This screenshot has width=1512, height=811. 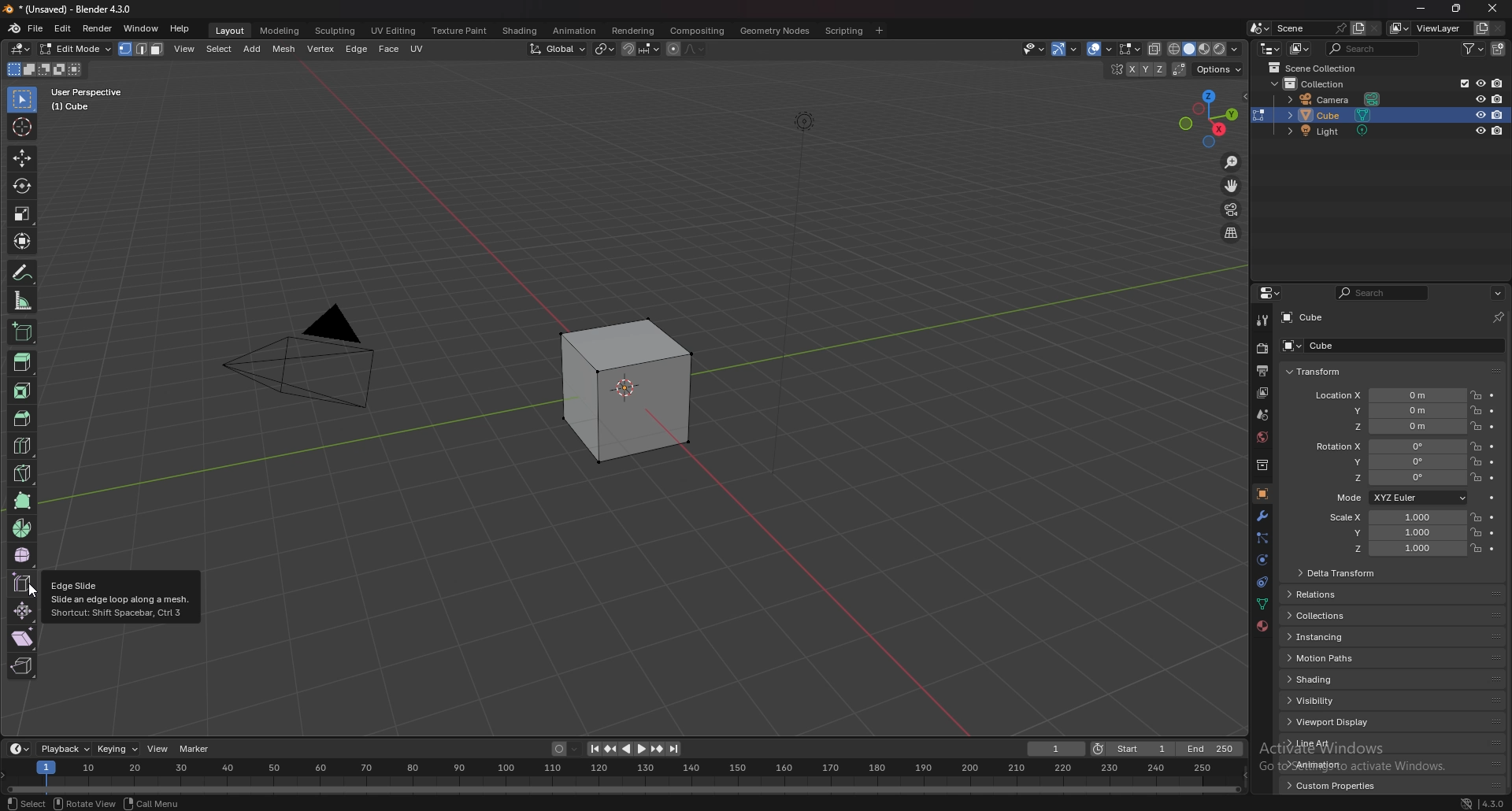 What do you see at coordinates (1211, 749) in the screenshot?
I see `end frame` at bounding box center [1211, 749].